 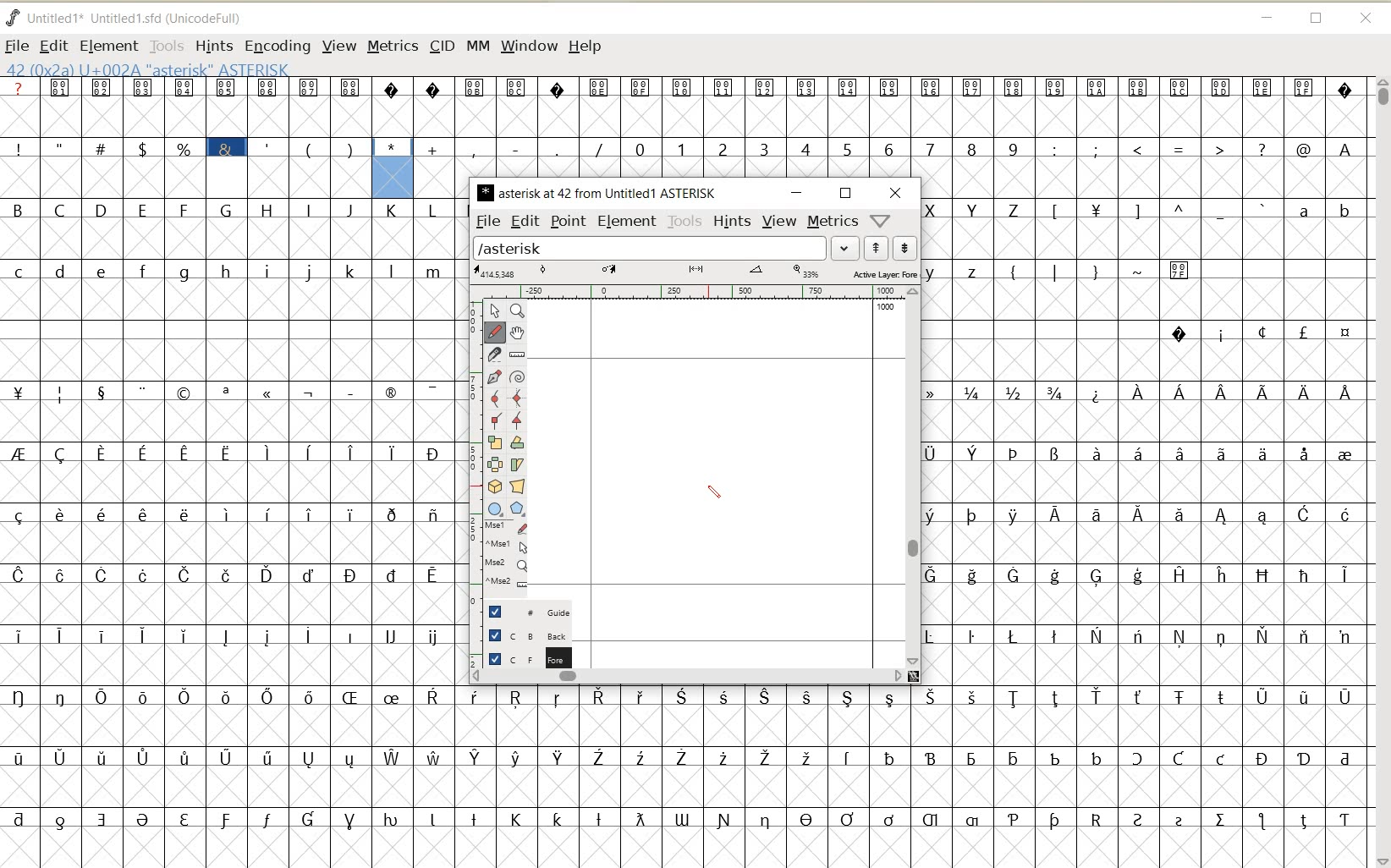 I want to click on ELEMENT, so click(x=109, y=46).